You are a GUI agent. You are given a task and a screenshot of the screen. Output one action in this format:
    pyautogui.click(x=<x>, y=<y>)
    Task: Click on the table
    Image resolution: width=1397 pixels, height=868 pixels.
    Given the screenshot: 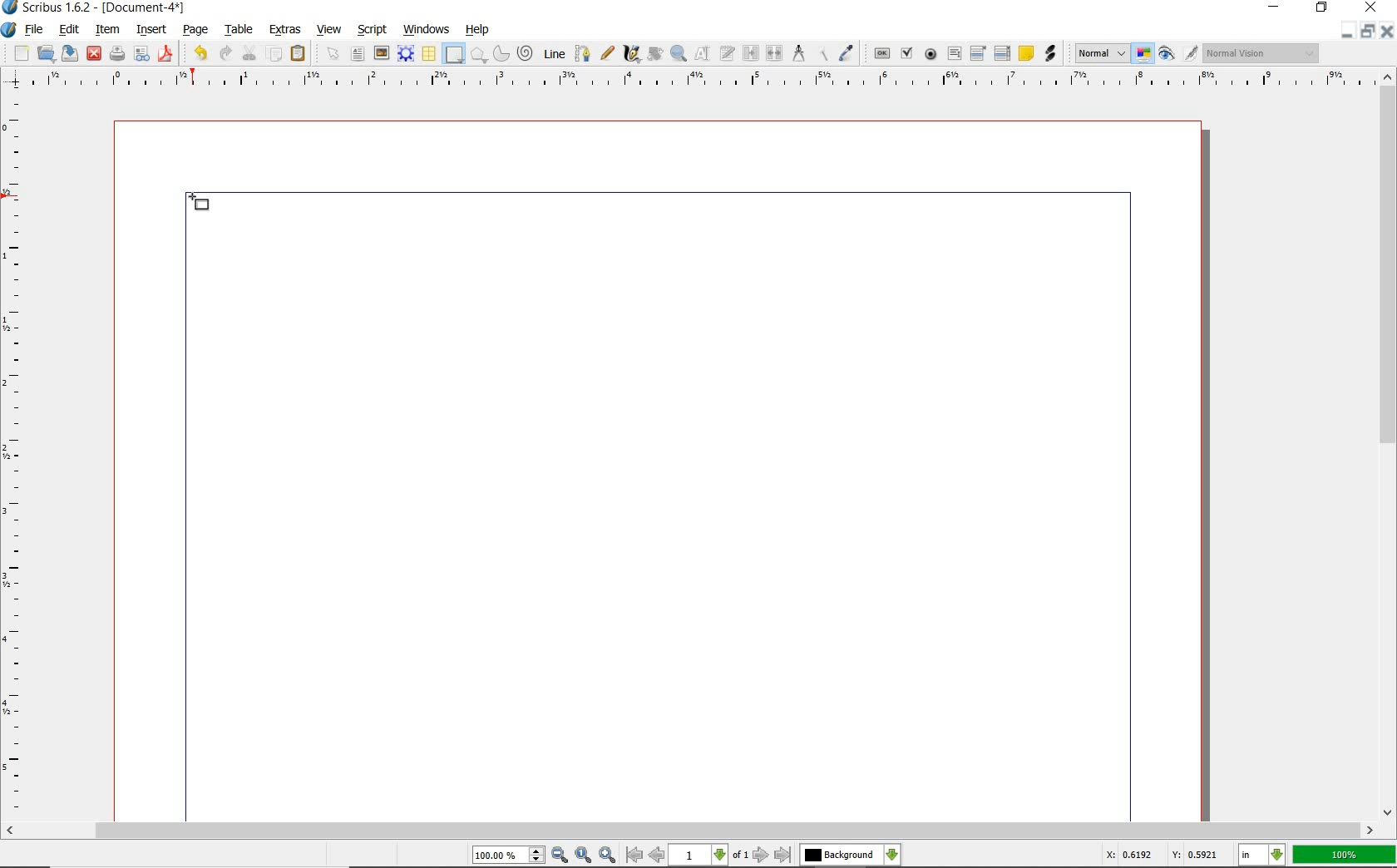 What is the action you would take?
    pyautogui.click(x=239, y=30)
    